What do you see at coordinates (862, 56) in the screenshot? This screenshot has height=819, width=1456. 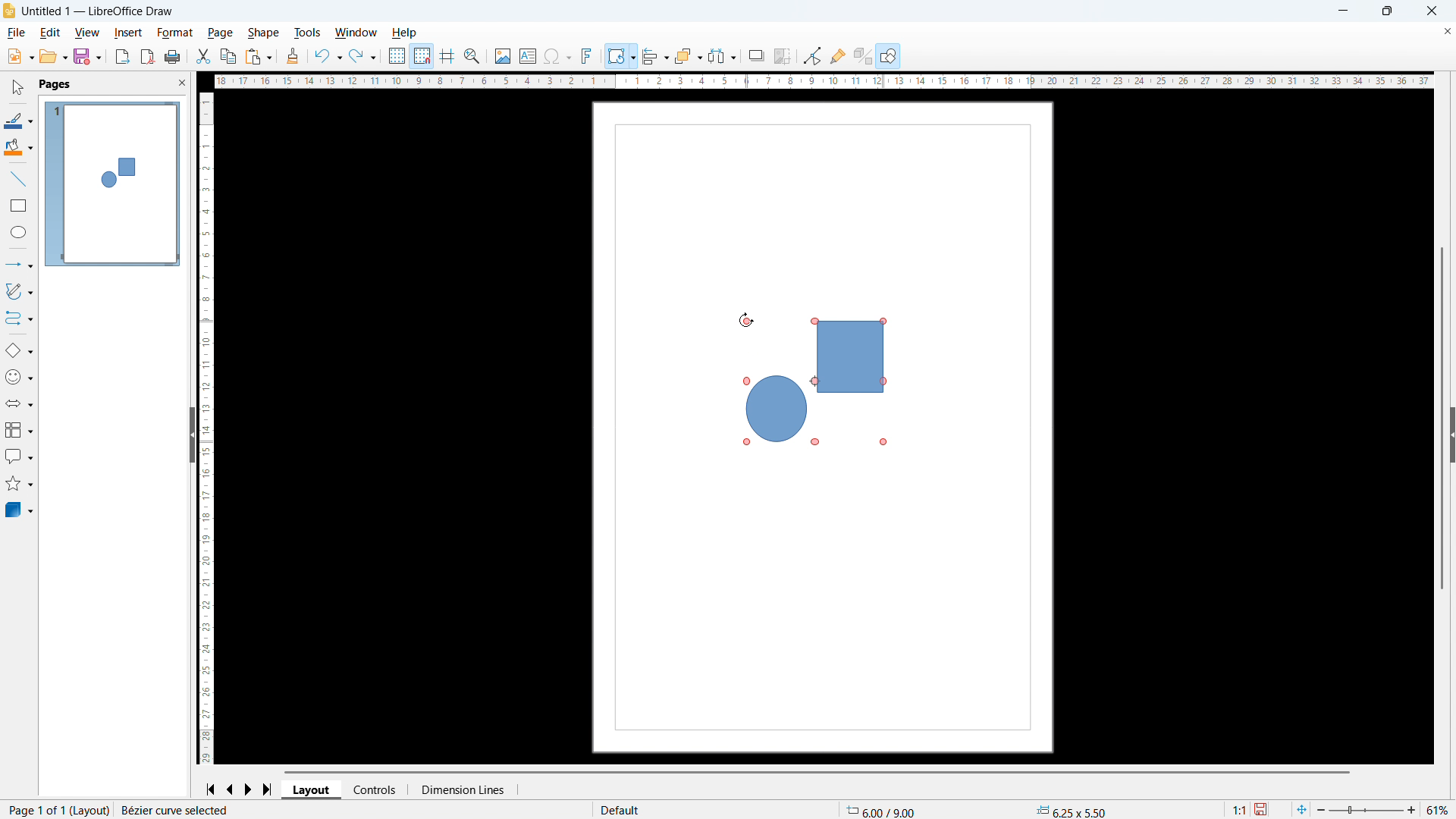 I see `Google extrusion ` at bounding box center [862, 56].